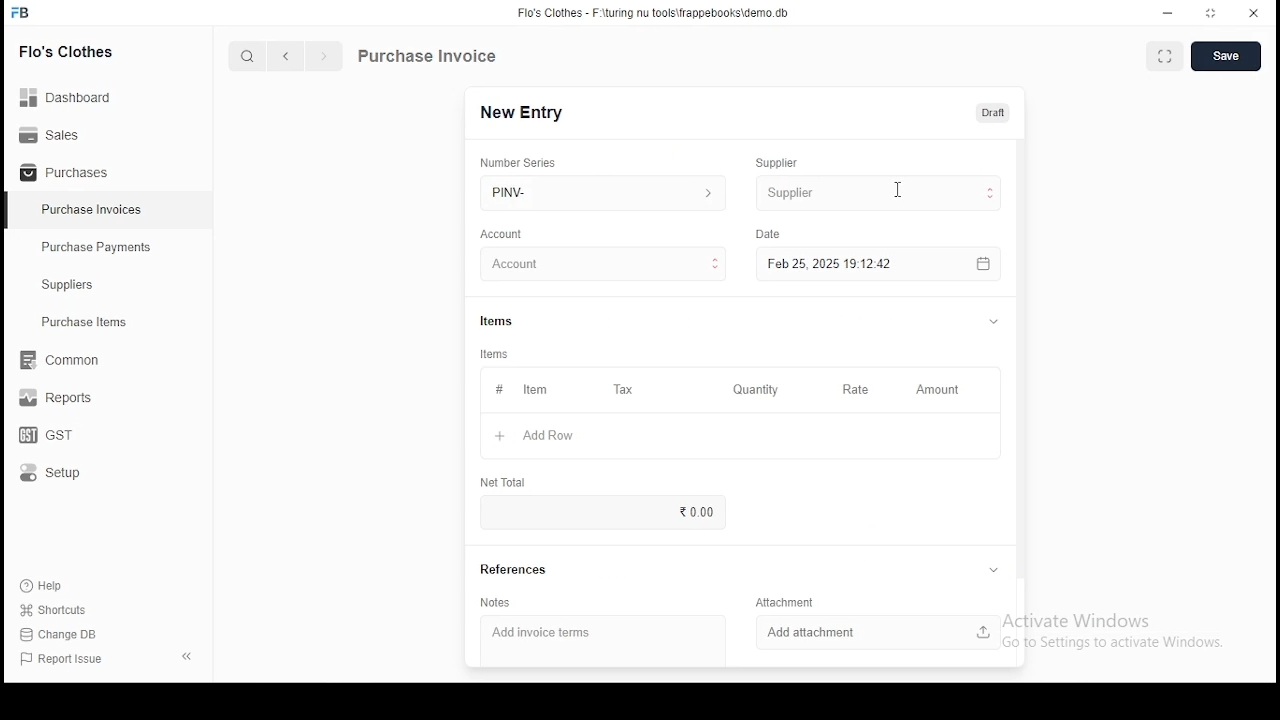 The width and height of the screenshot is (1280, 720). Describe the element at coordinates (497, 319) in the screenshot. I see `Items` at that location.